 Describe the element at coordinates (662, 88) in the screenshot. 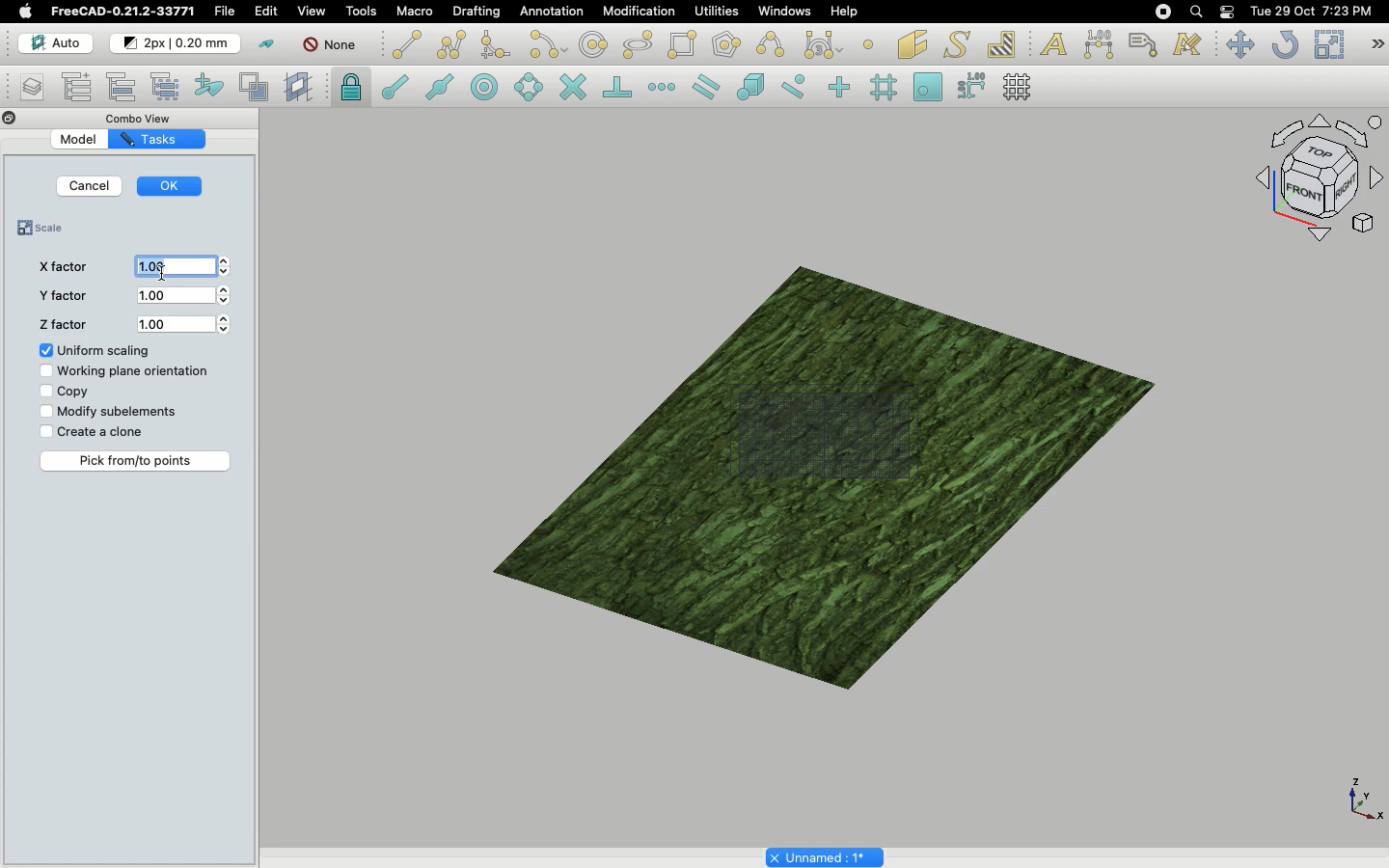

I see `Snap extension` at that location.